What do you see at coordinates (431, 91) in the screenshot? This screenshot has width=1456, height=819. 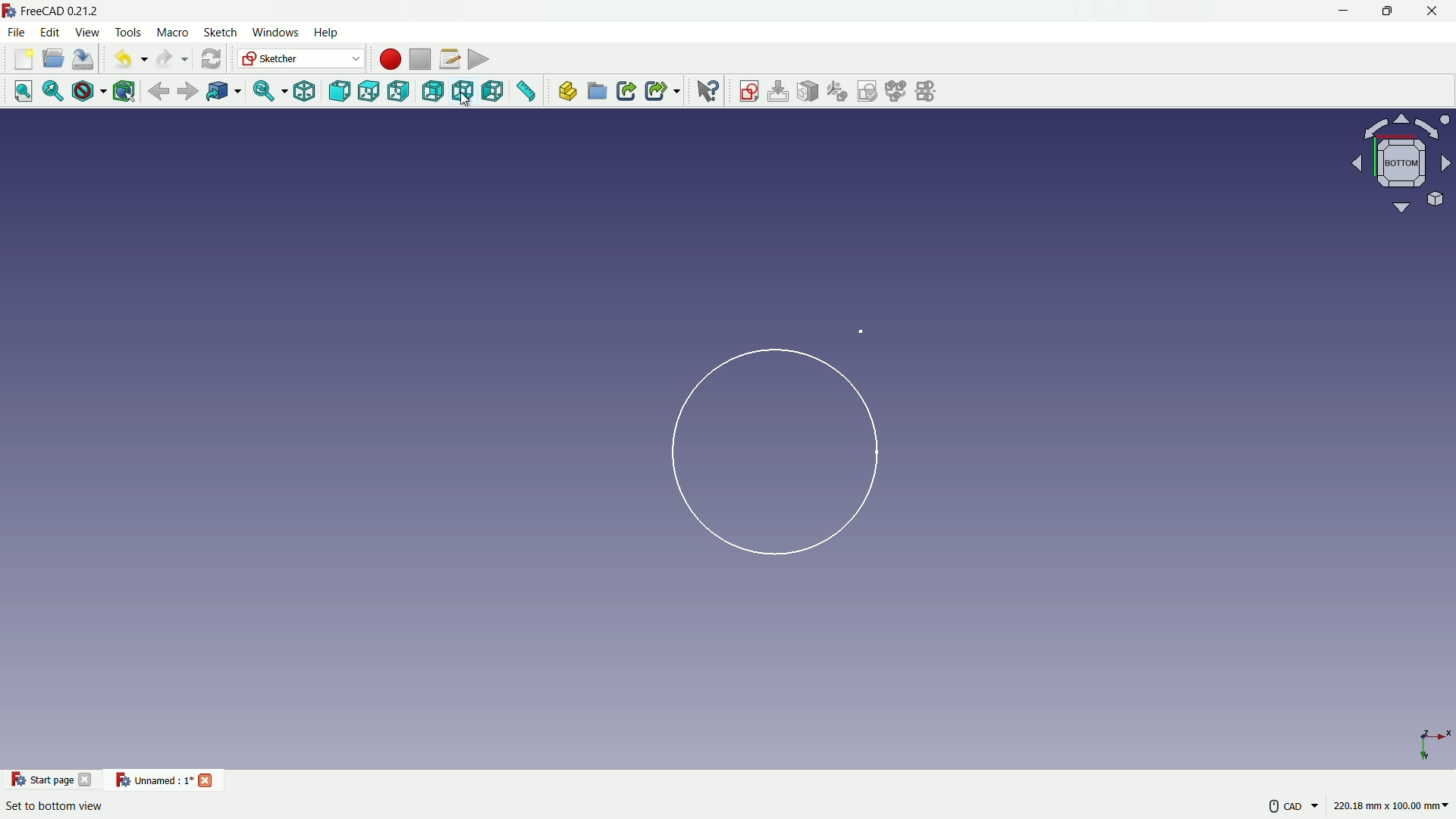 I see `rear view` at bounding box center [431, 91].